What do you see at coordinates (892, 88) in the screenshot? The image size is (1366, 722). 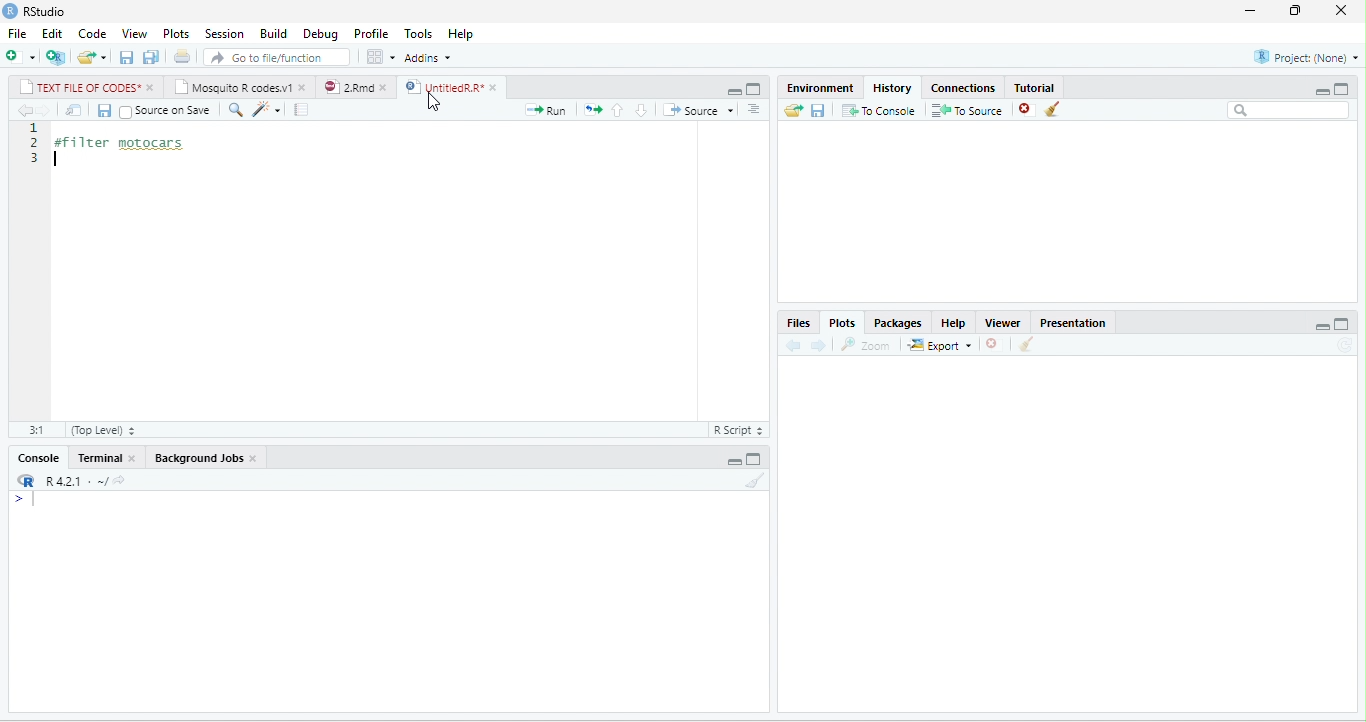 I see `History` at bounding box center [892, 88].